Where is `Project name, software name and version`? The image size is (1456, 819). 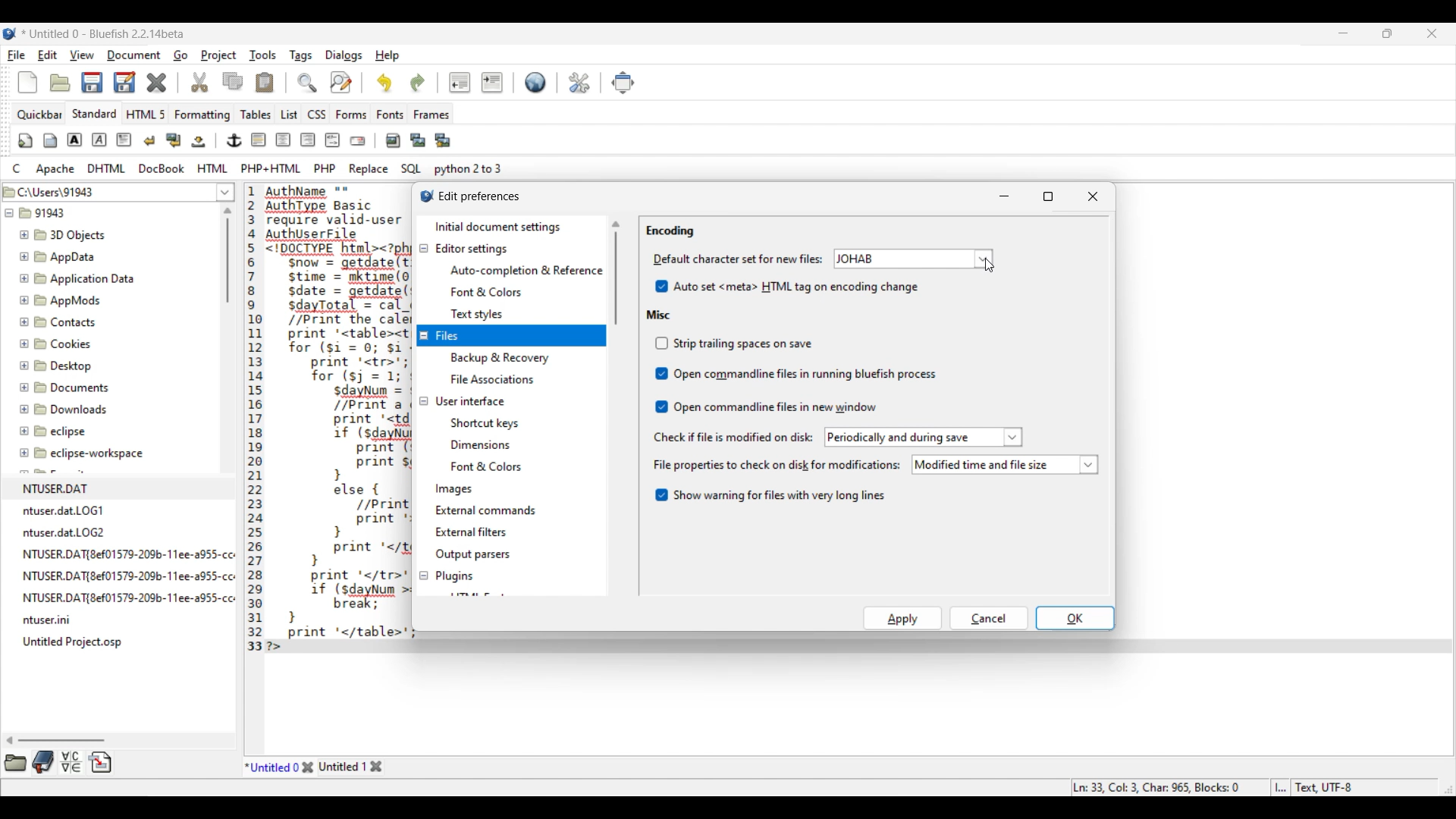
Project name, software name and version is located at coordinates (105, 33).